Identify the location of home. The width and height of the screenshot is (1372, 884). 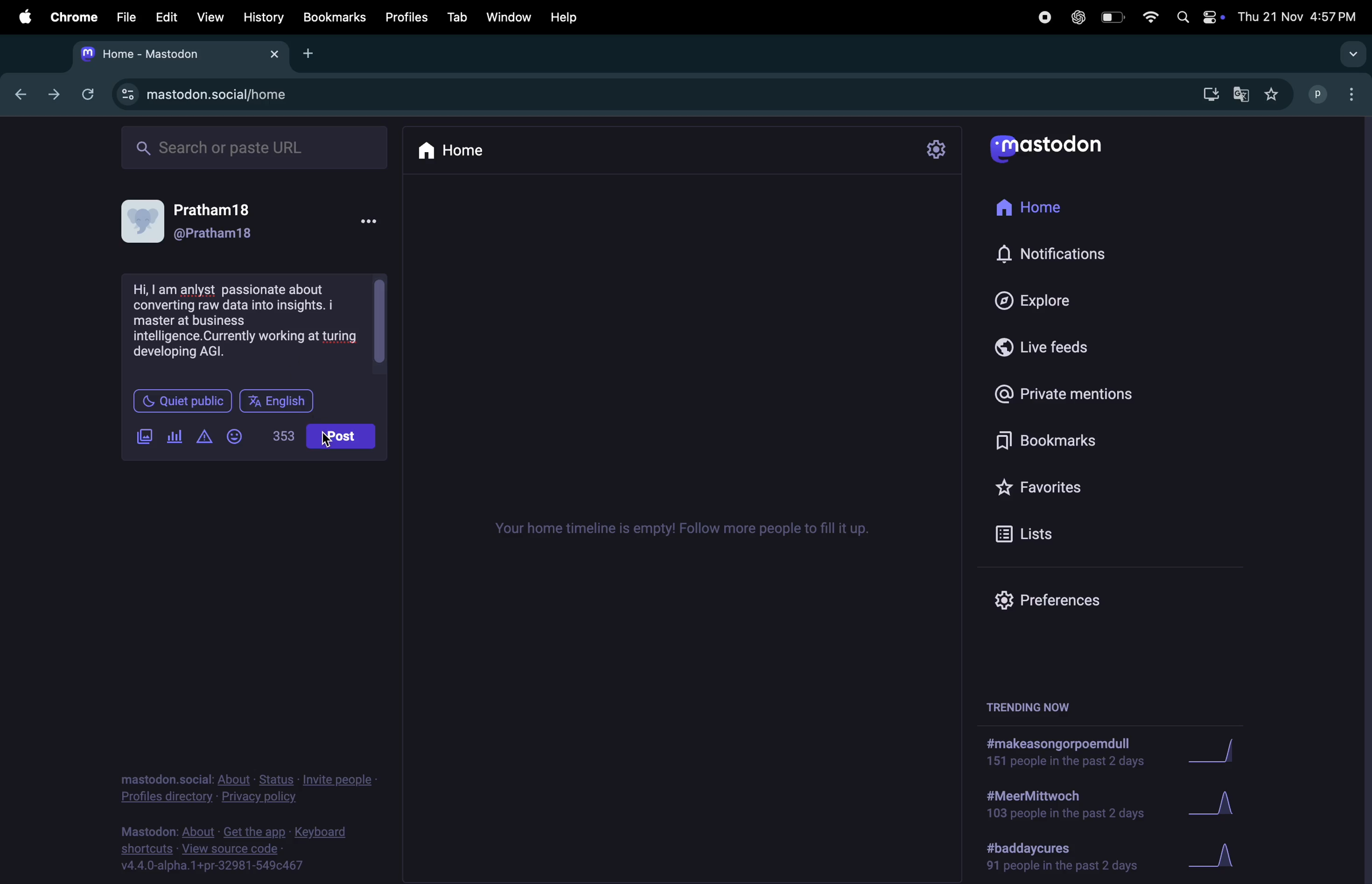
(458, 151).